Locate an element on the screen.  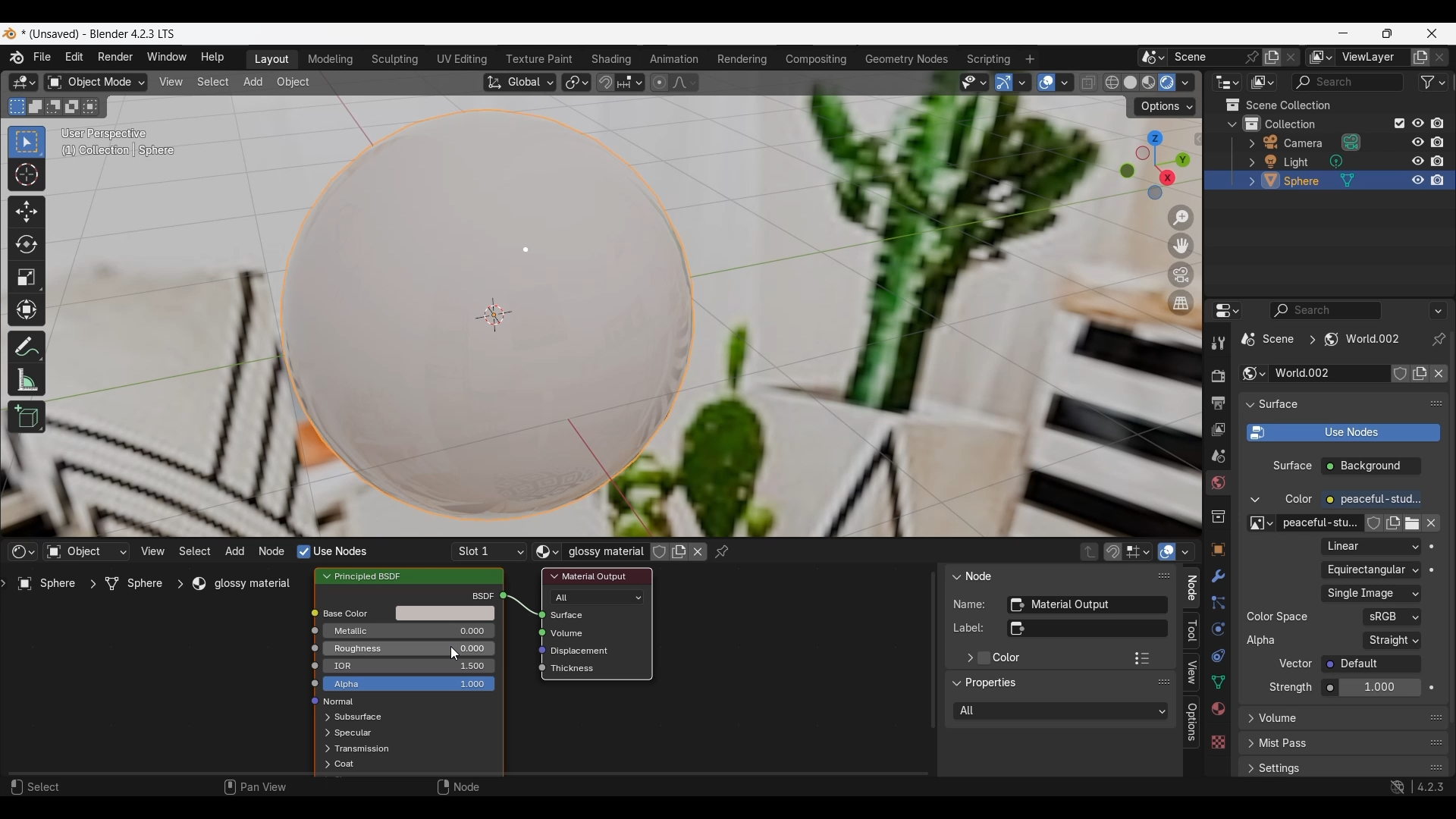
icon is located at coordinates (532, 615).